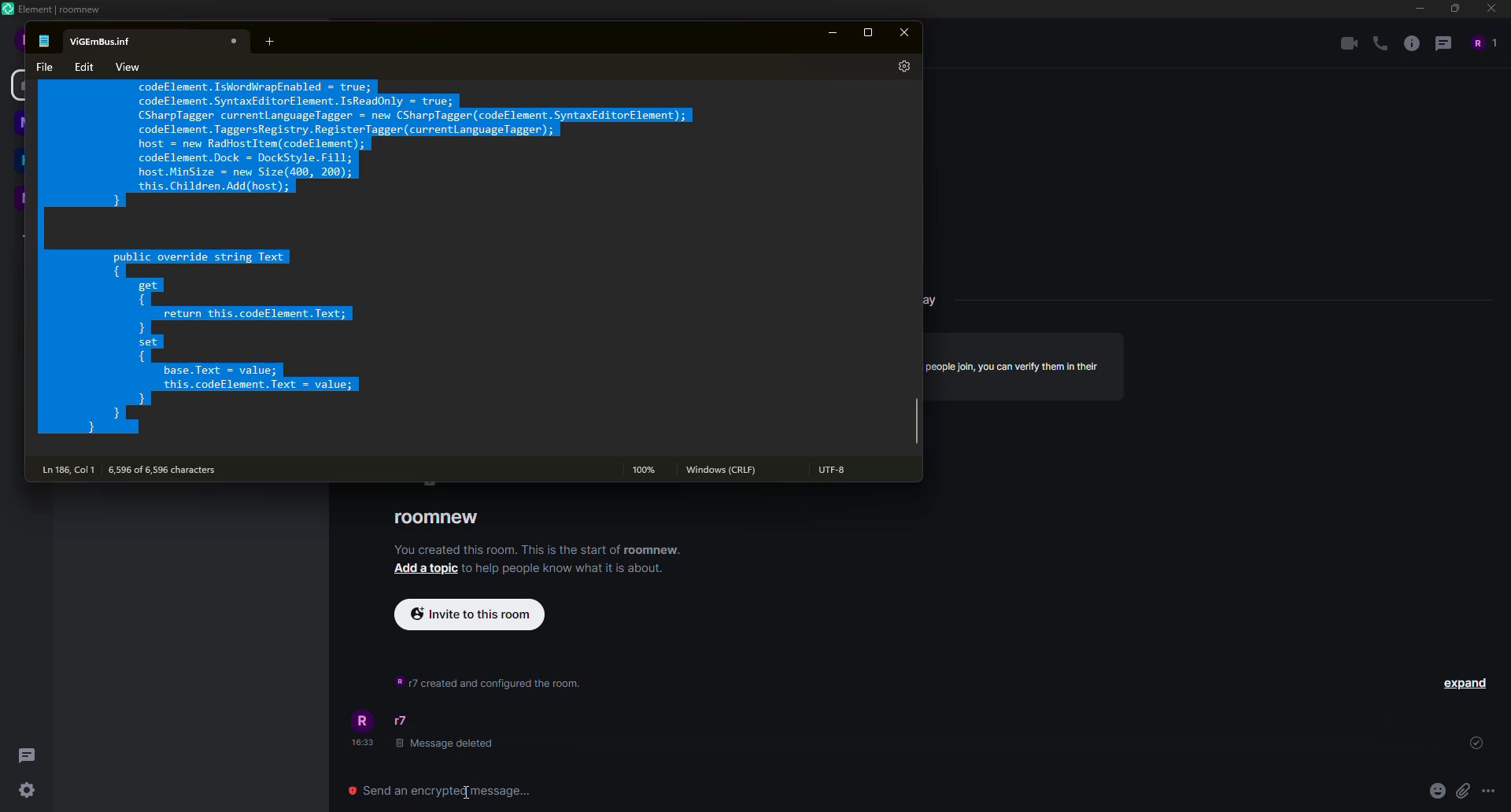 The width and height of the screenshot is (1511, 812). Describe the element at coordinates (235, 40) in the screenshot. I see `close` at that location.